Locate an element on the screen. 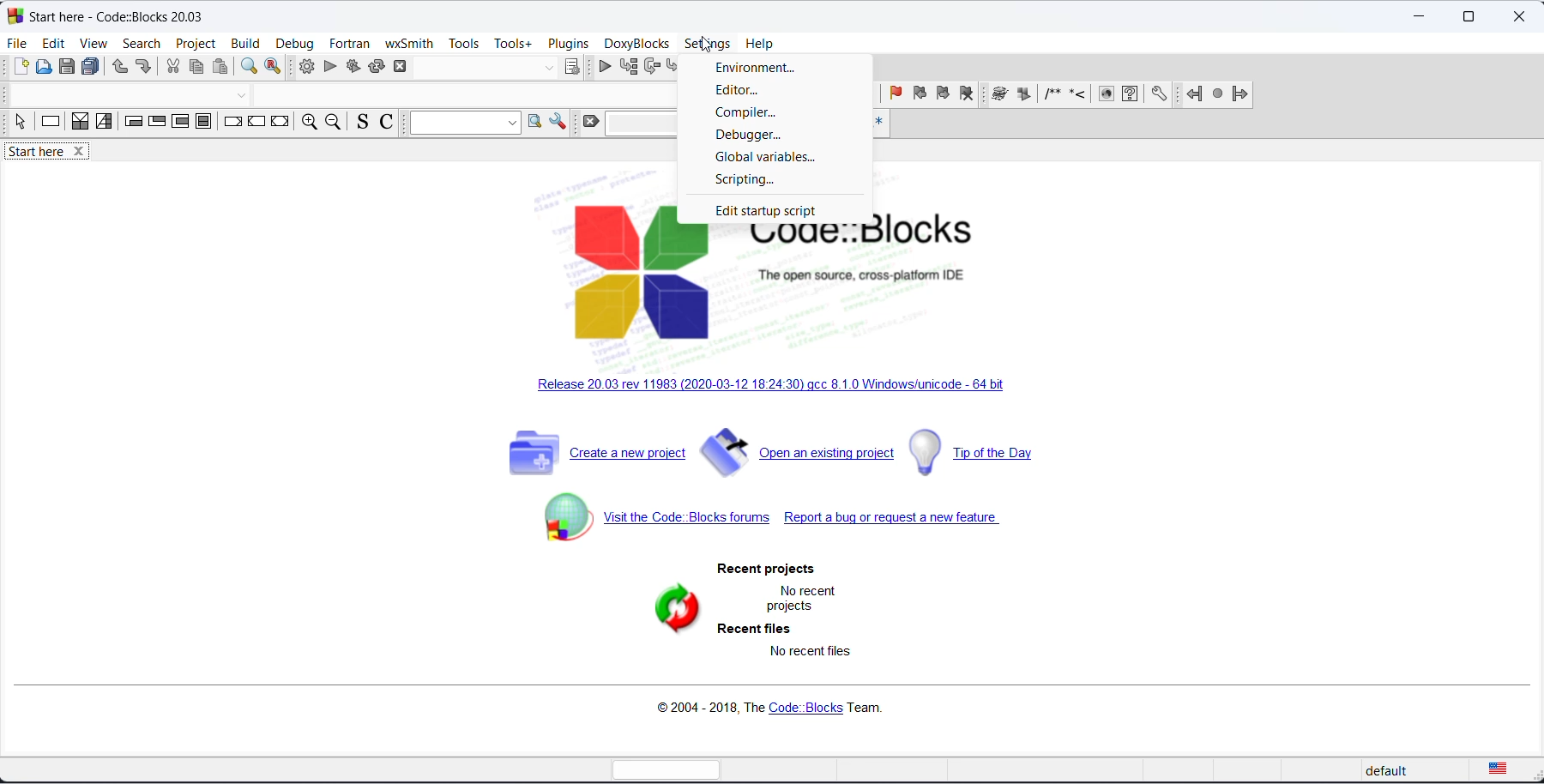 This screenshot has height=784, width=1544. Debugger... is located at coordinates (759, 136).